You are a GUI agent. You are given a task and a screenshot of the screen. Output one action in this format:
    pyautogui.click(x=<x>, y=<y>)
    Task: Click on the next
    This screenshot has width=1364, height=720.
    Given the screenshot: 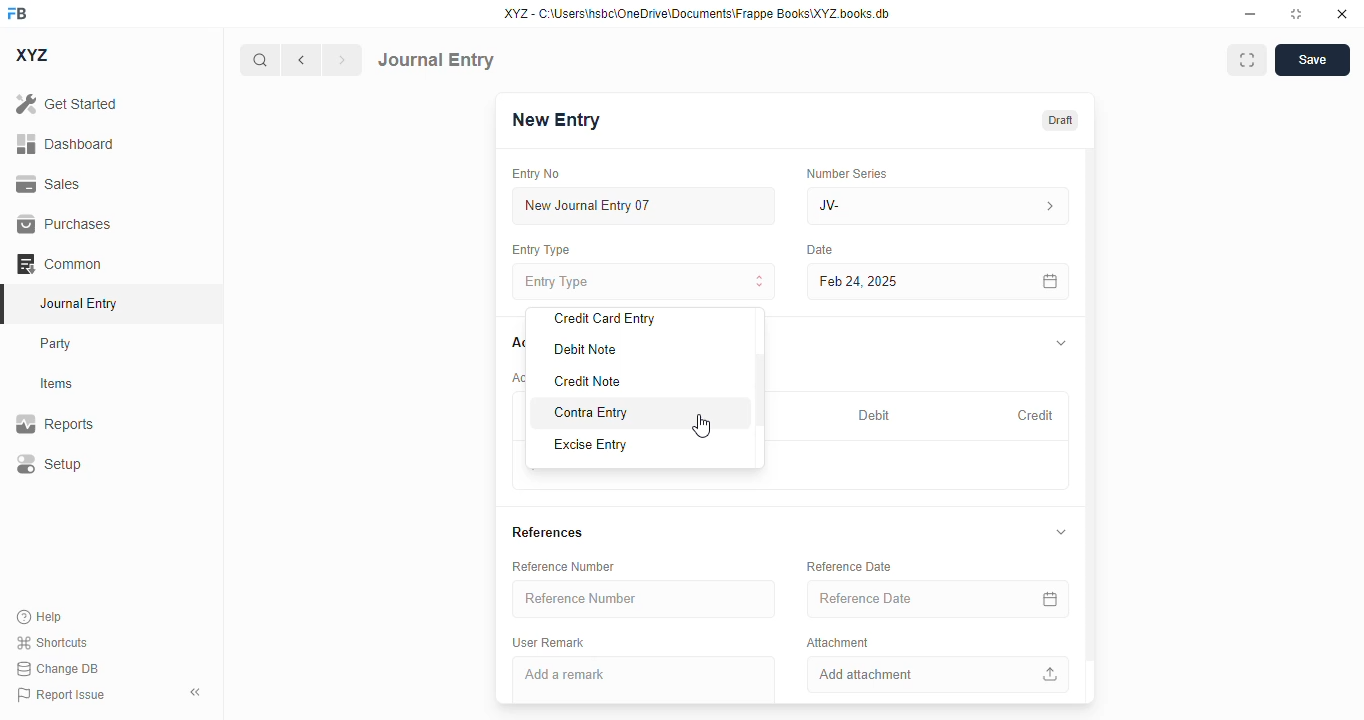 What is the action you would take?
    pyautogui.click(x=343, y=60)
    